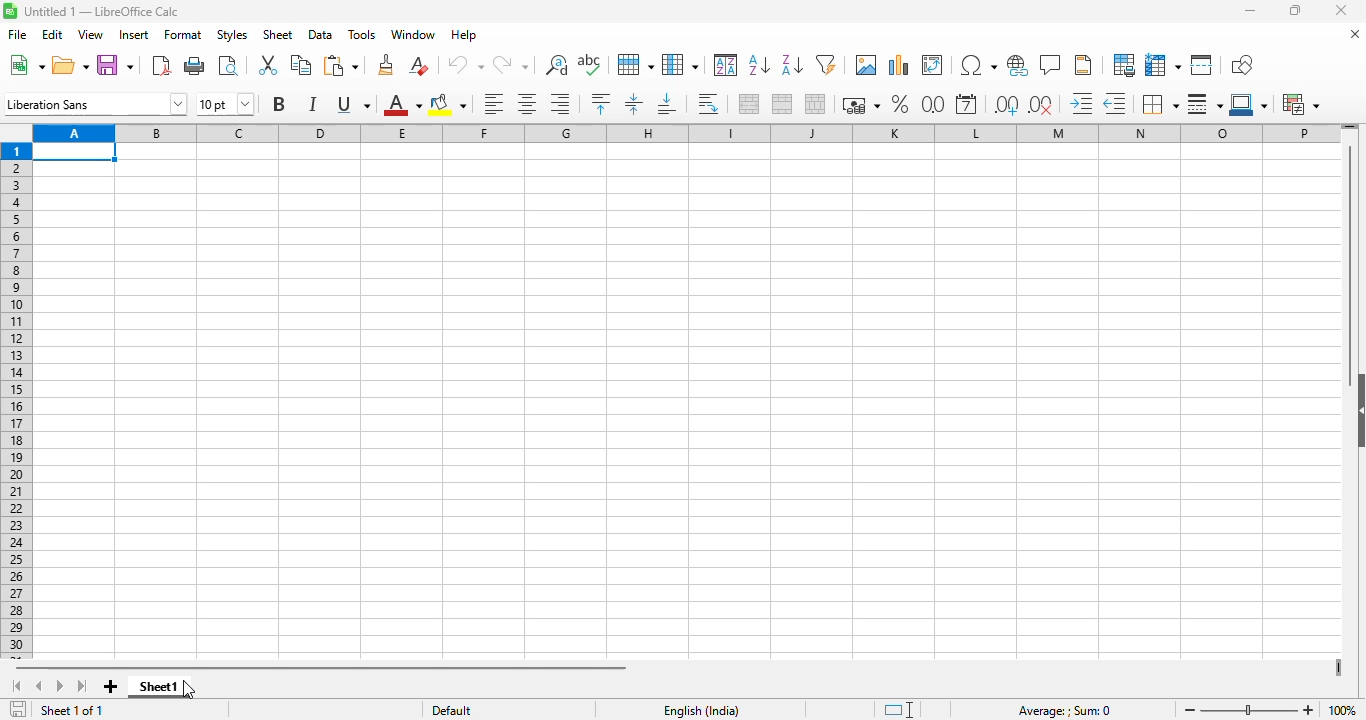 This screenshot has width=1366, height=720. Describe the element at coordinates (708, 103) in the screenshot. I see `wrap text` at that location.